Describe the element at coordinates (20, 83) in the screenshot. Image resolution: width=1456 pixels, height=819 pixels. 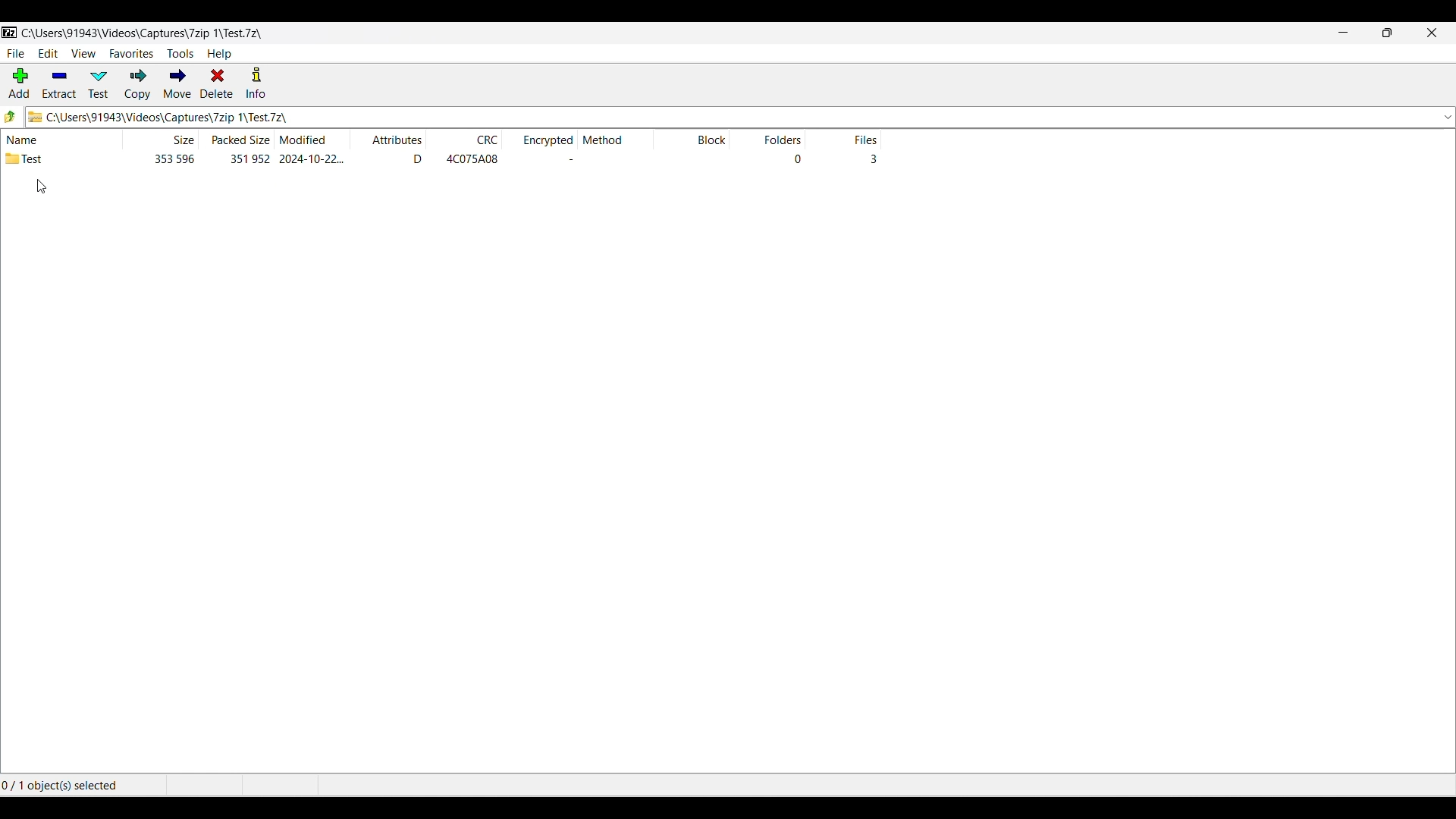
I see `Add` at that location.